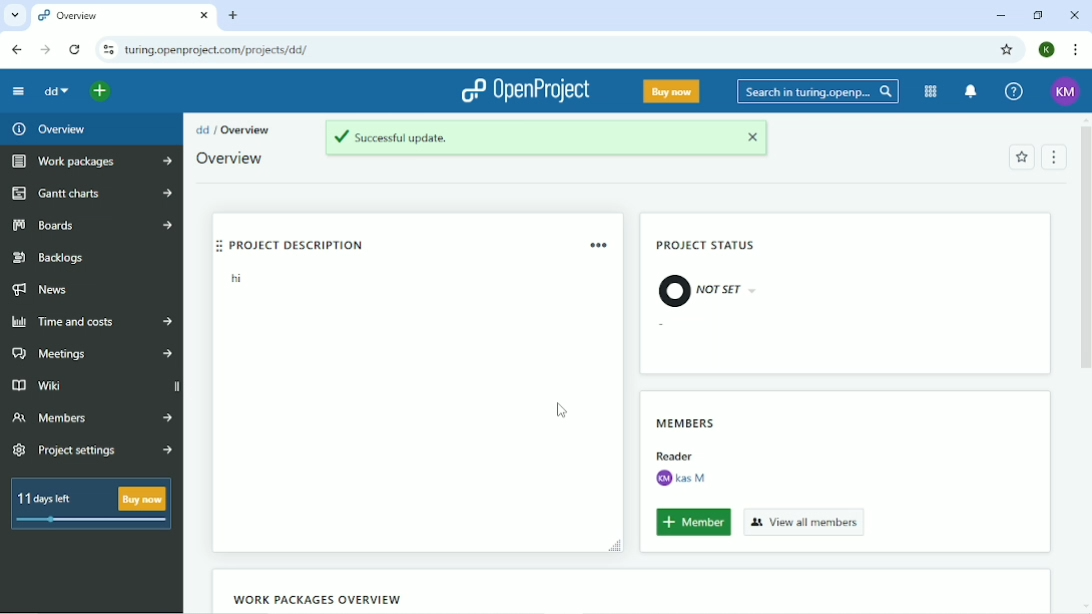 This screenshot has width=1092, height=614. Describe the element at coordinates (51, 258) in the screenshot. I see `Backlogs` at that location.